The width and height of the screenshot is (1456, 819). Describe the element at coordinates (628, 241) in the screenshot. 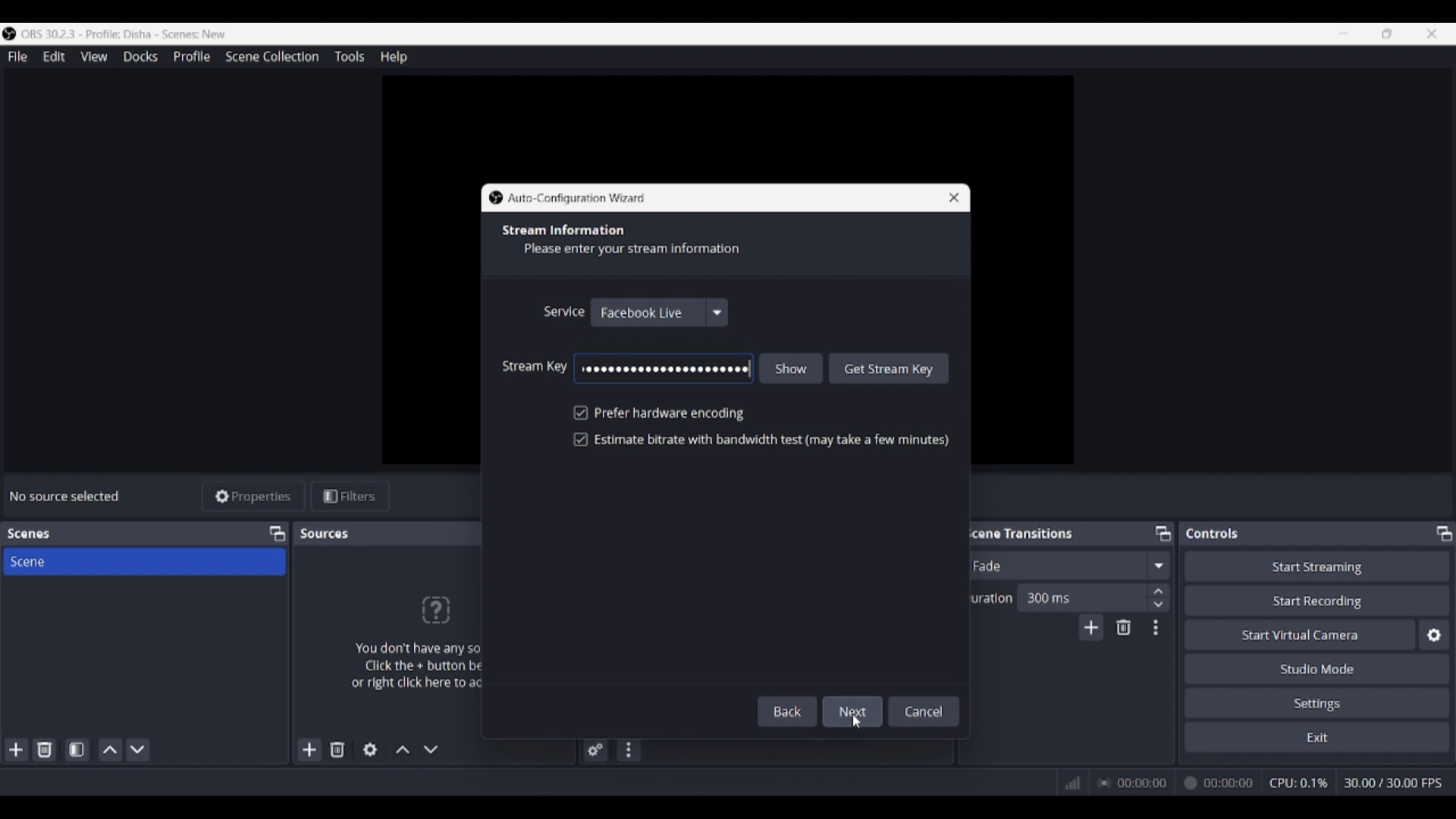

I see `Section title and description` at that location.